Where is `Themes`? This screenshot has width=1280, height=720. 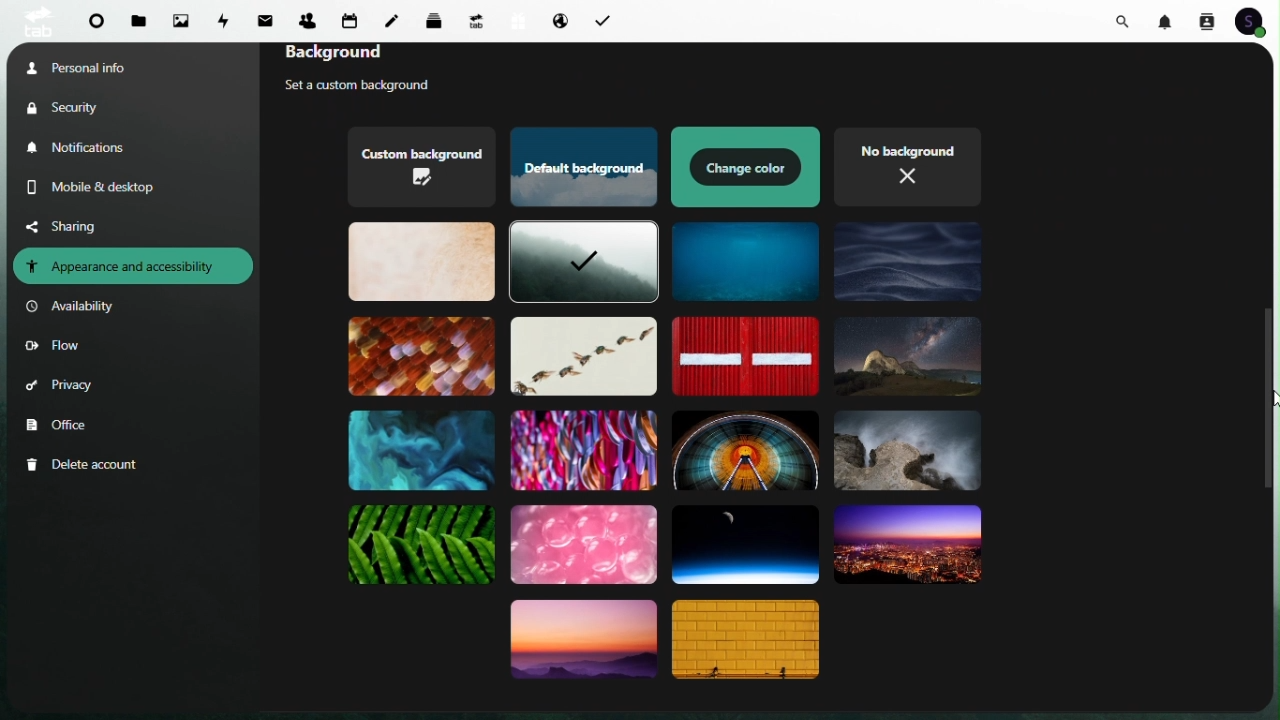
Themes is located at coordinates (908, 265).